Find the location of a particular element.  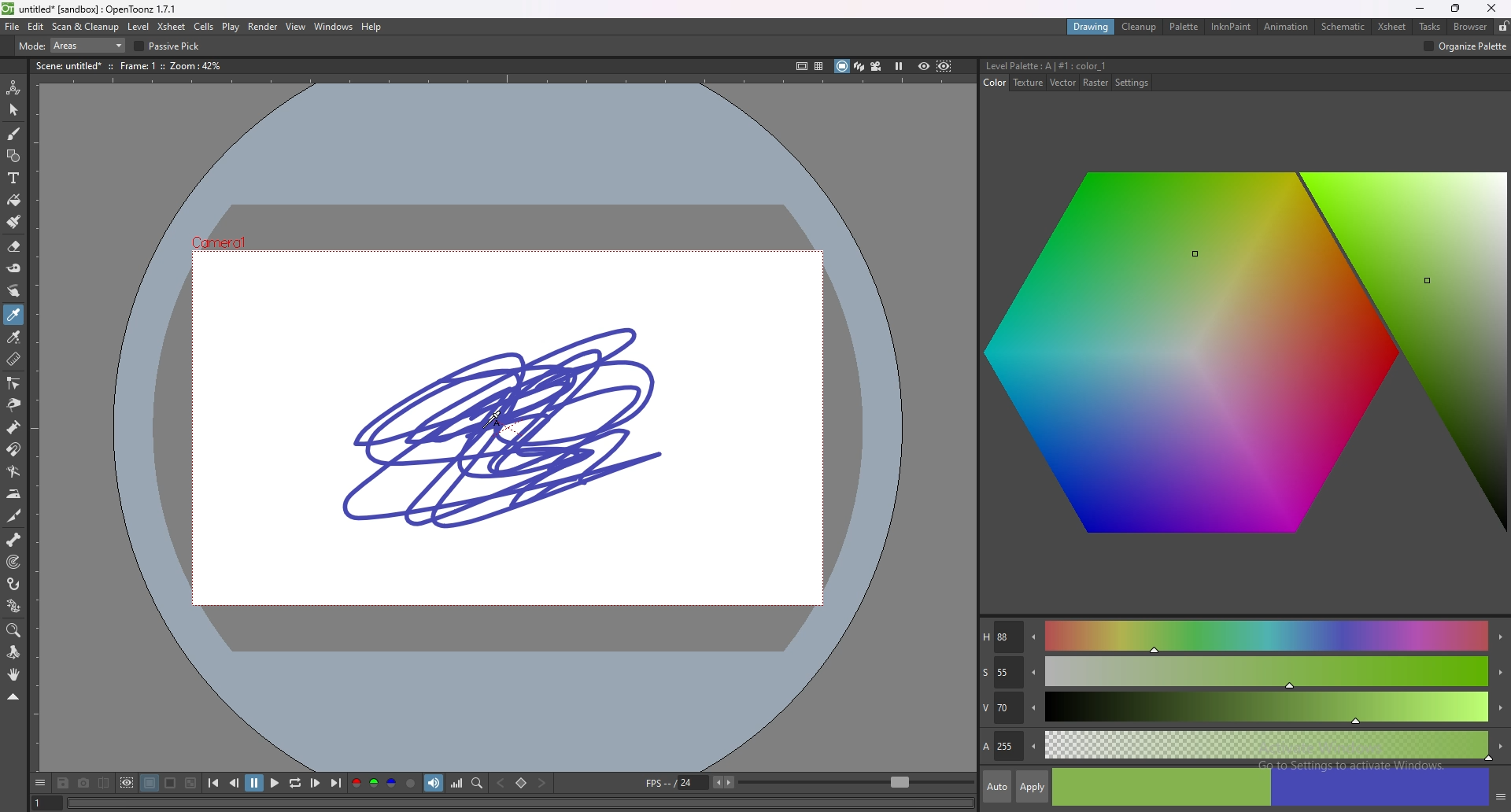

rotate selection right is located at coordinates (875, 46).